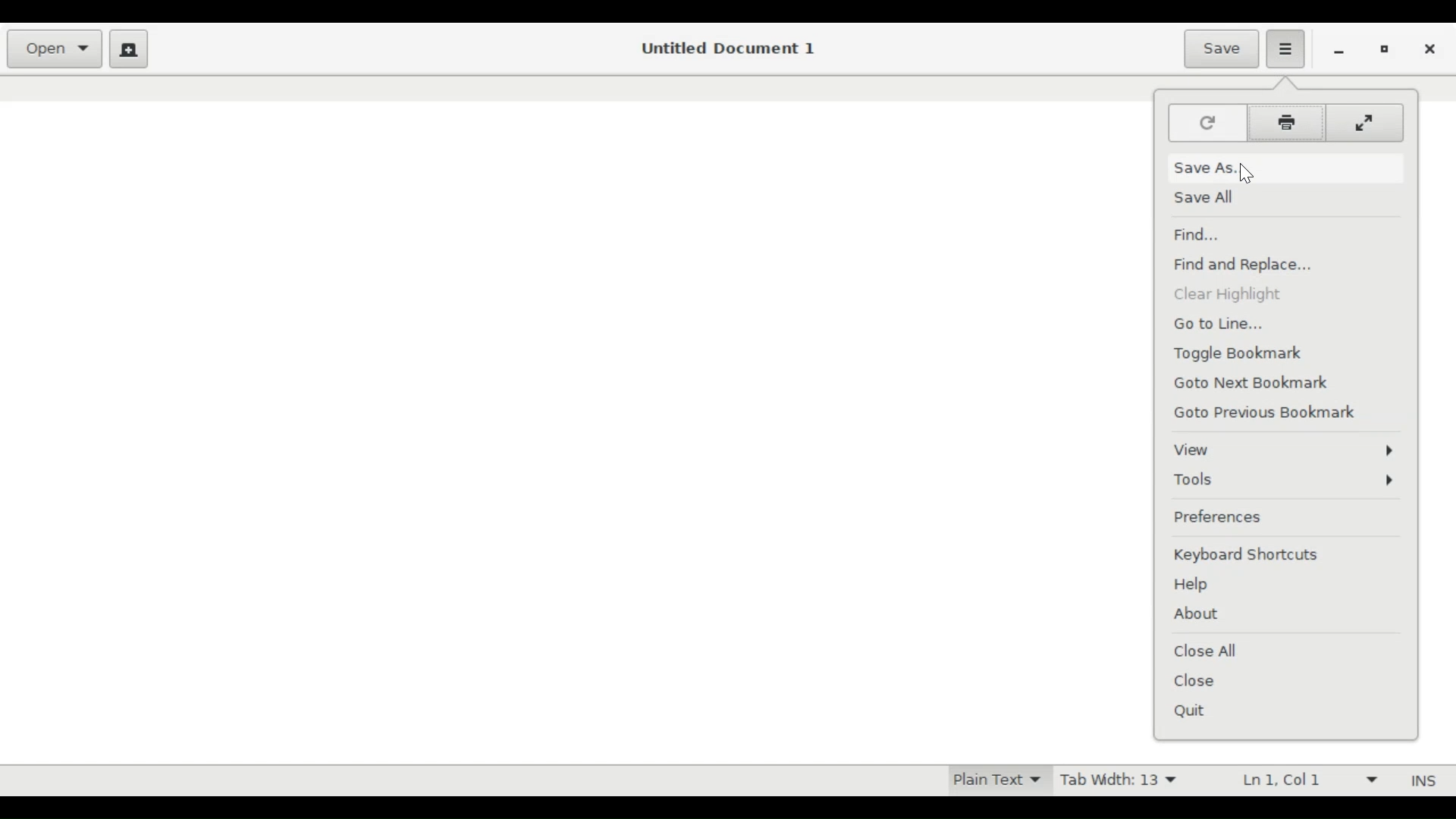 The height and width of the screenshot is (819, 1456). Describe the element at coordinates (1245, 351) in the screenshot. I see `Toggle Bookmark` at that location.